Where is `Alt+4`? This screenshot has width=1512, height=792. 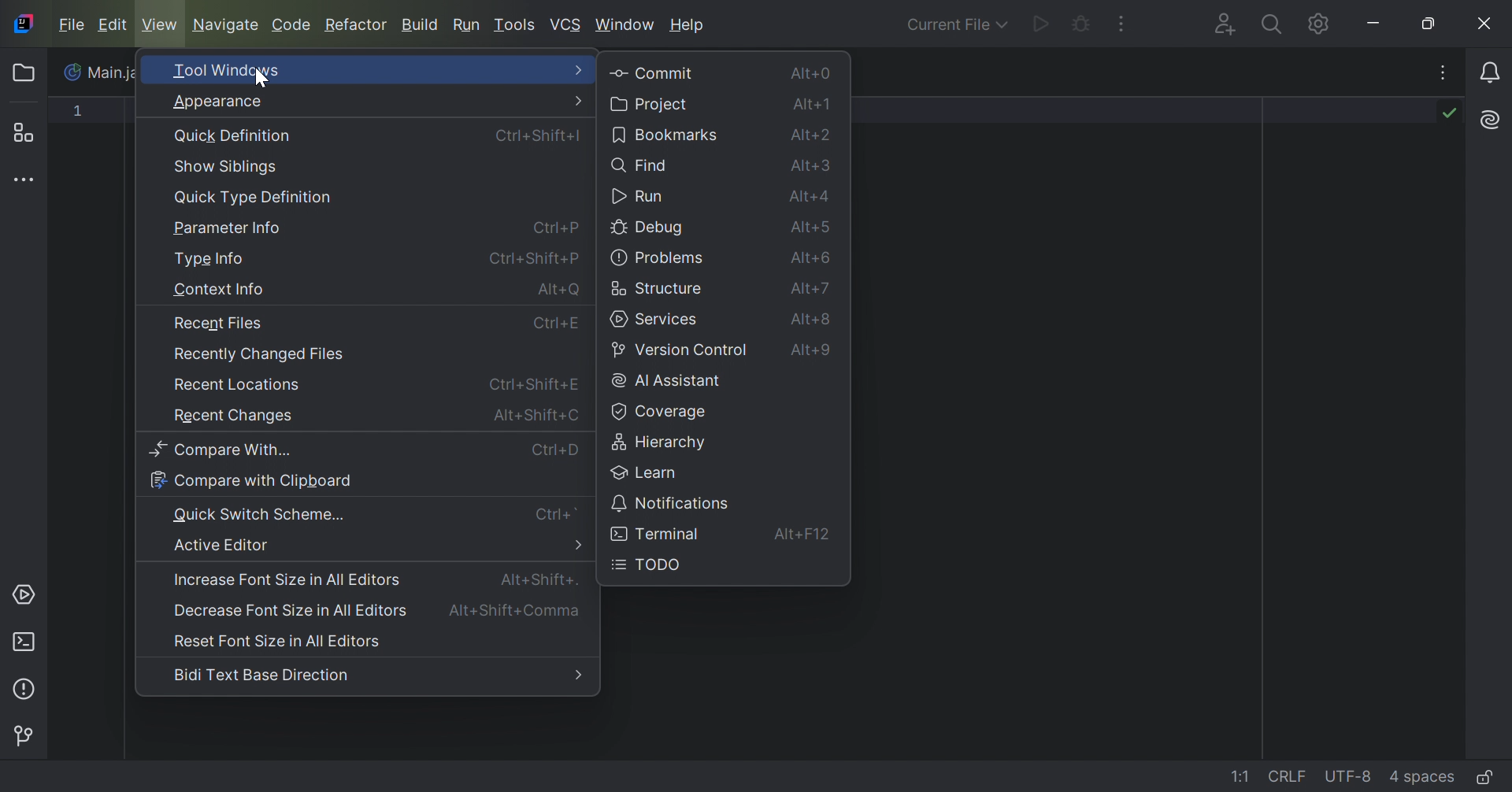
Alt+4 is located at coordinates (812, 198).